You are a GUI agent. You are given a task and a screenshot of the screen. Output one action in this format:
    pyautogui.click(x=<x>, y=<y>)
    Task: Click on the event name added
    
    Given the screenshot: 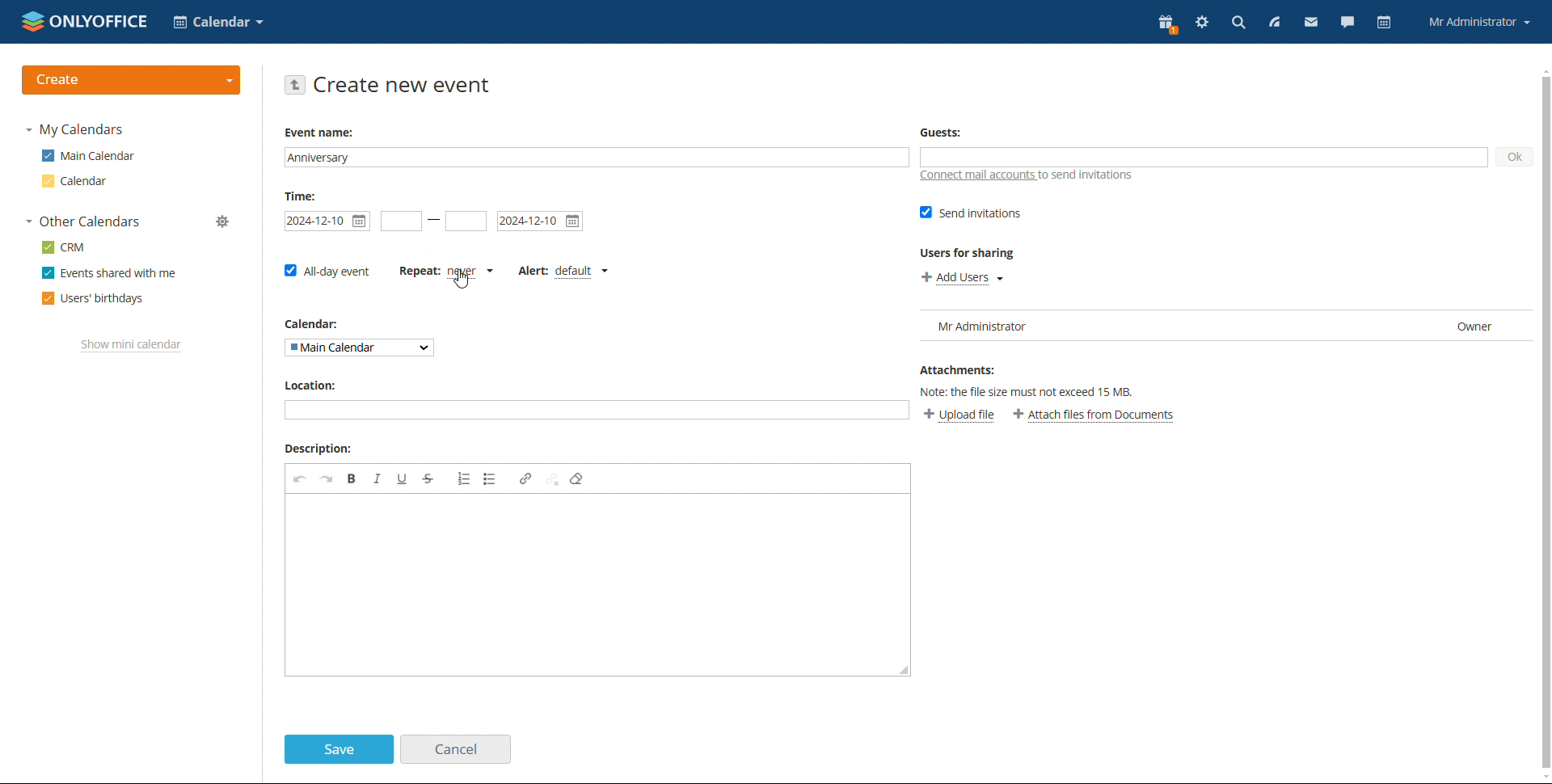 What is the action you would take?
    pyautogui.click(x=598, y=157)
    